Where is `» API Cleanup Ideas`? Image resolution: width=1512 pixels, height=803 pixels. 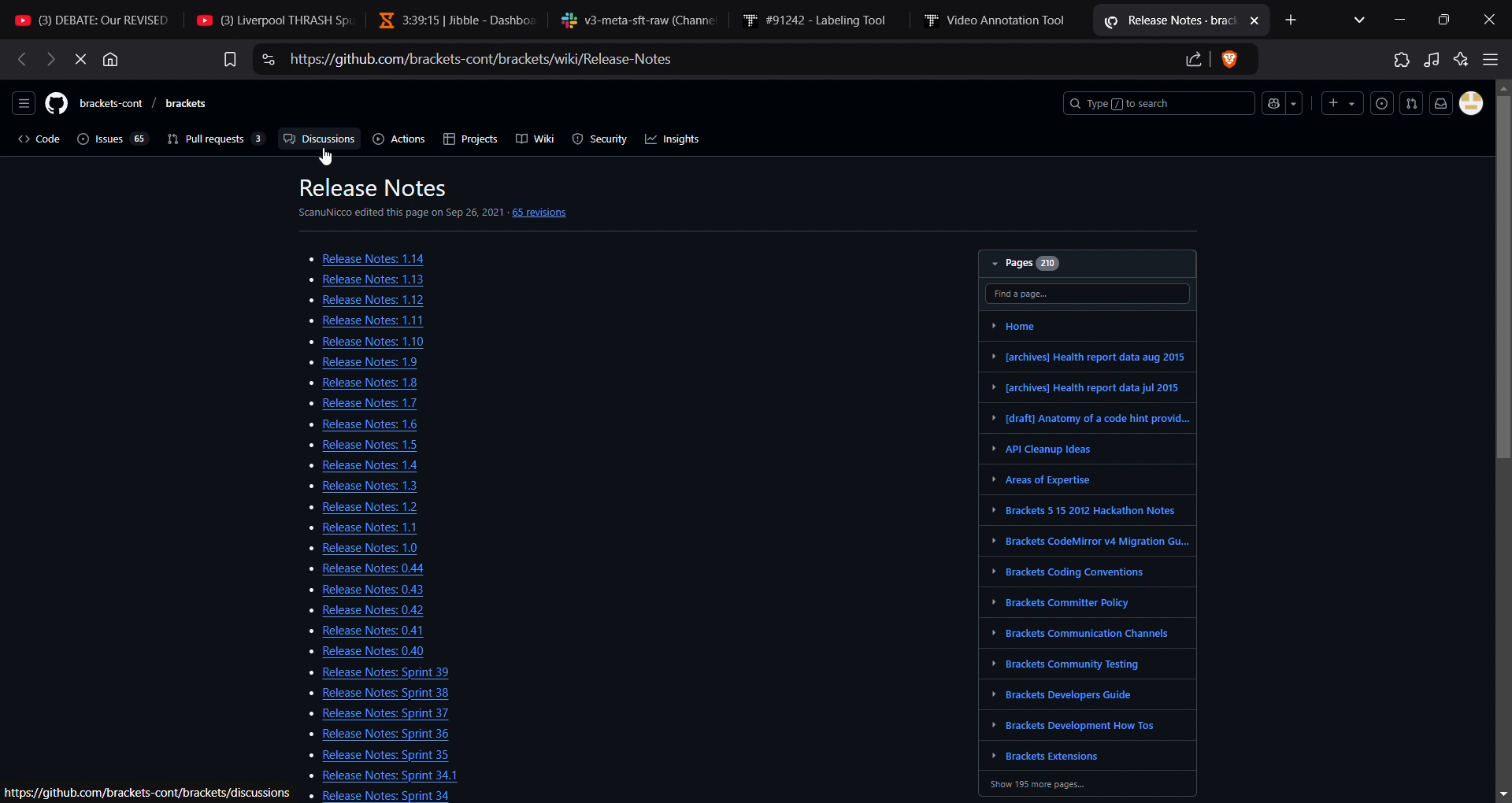
» API Cleanup Ideas is located at coordinates (1046, 450).